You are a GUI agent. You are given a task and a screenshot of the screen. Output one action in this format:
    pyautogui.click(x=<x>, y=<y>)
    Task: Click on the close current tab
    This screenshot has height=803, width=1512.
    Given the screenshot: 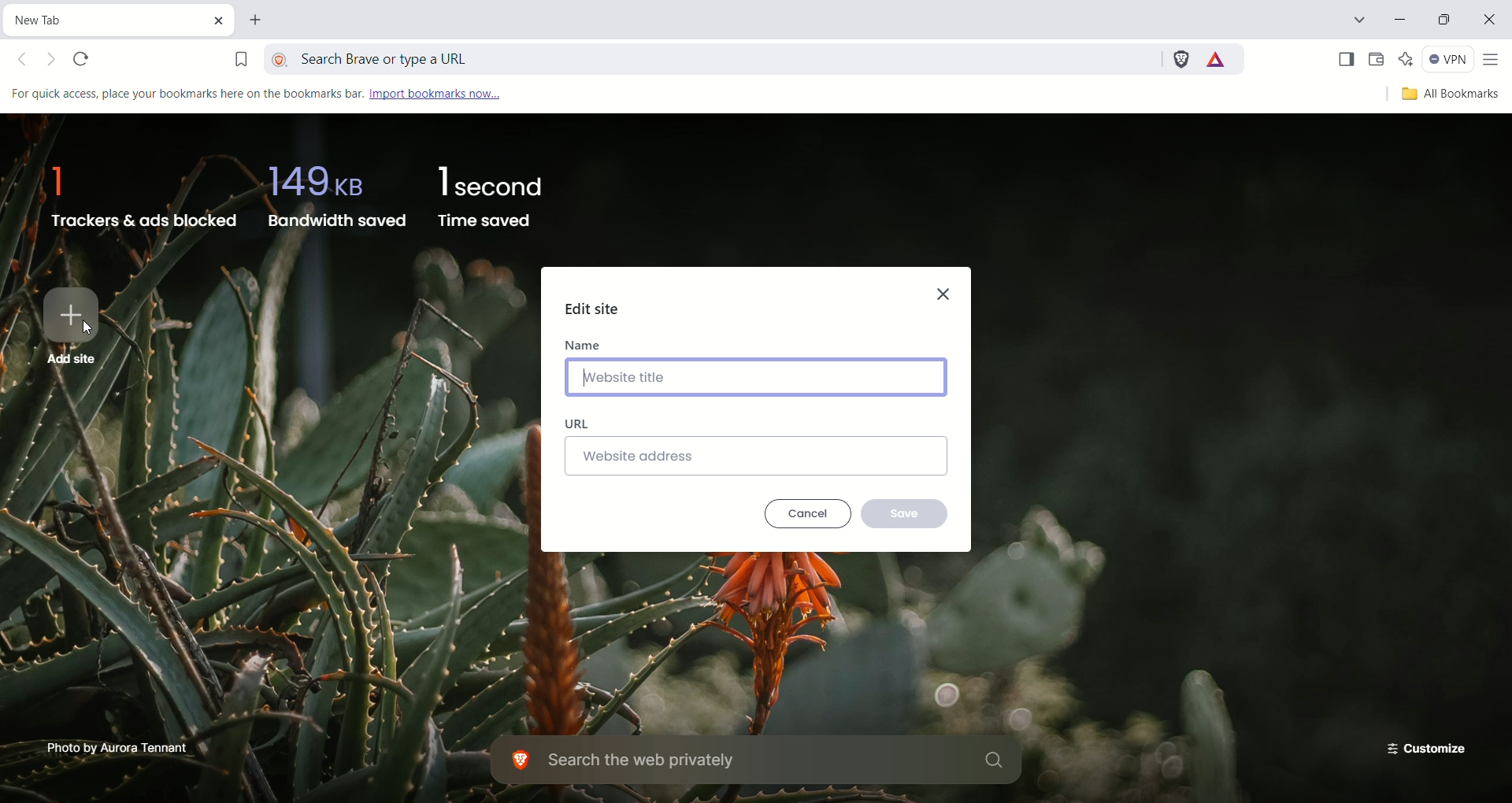 What is the action you would take?
    pyautogui.click(x=223, y=20)
    